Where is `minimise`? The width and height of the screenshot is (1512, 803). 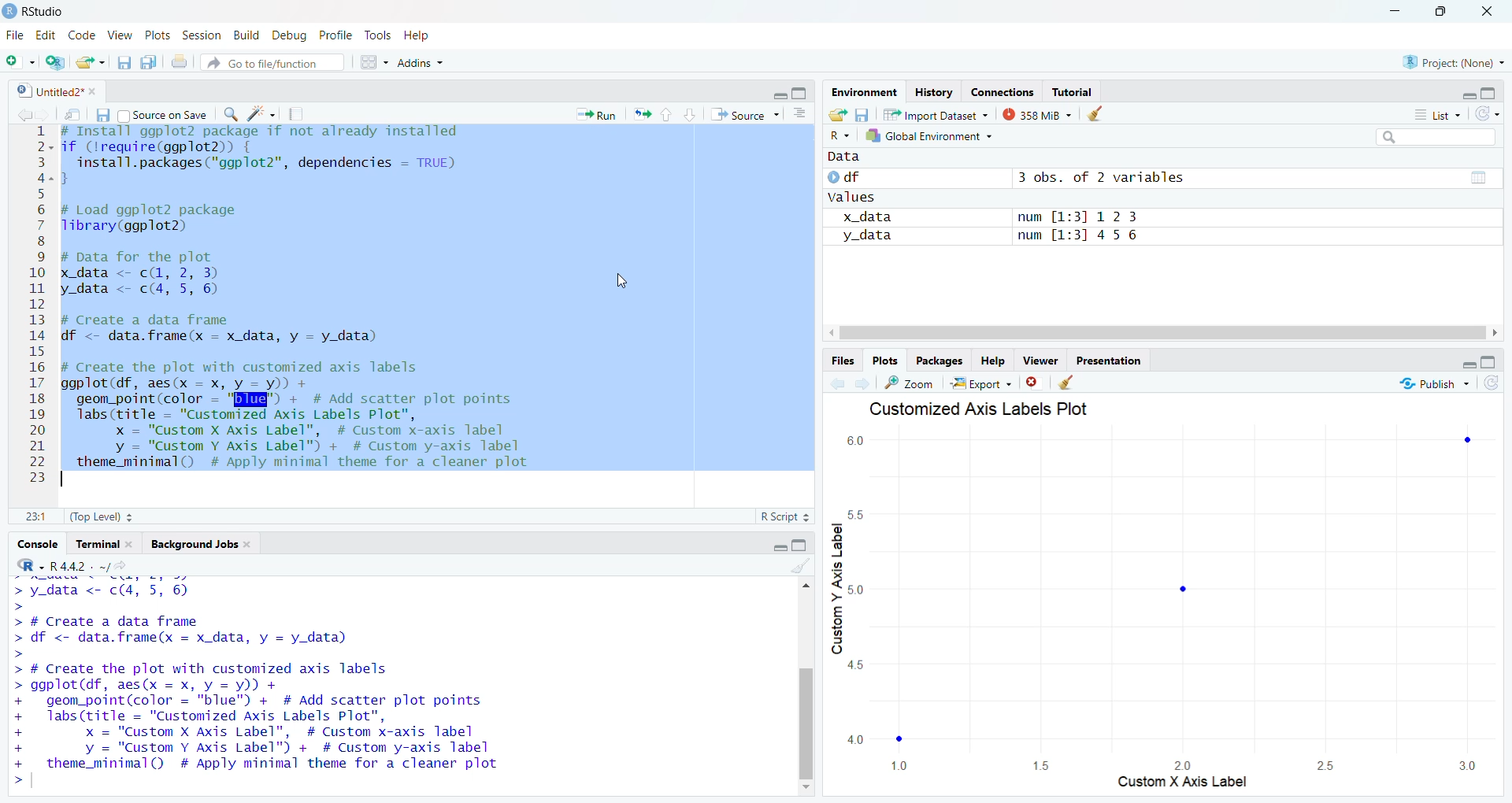 minimise is located at coordinates (1469, 364).